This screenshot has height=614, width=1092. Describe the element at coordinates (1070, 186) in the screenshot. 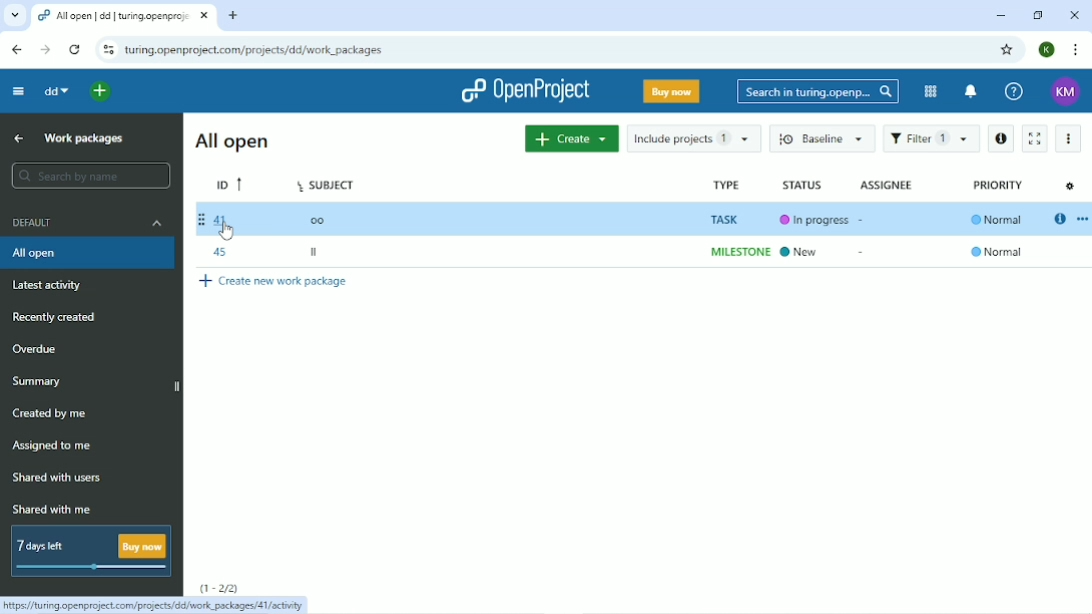

I see `Configure view` at that location.